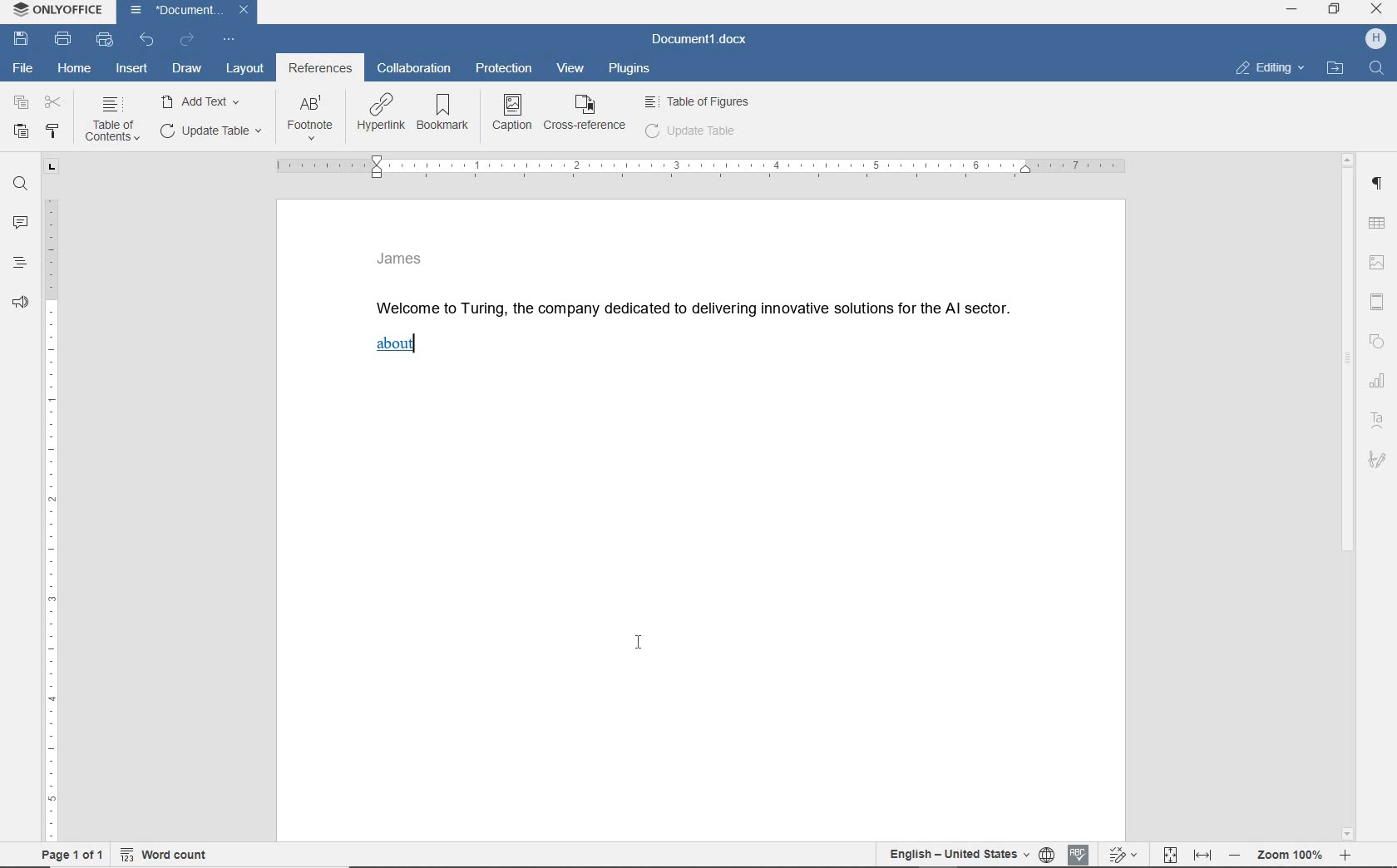 The height and width of the screenshot is (868, 1397). I want to click on layout, so click(244, 67).